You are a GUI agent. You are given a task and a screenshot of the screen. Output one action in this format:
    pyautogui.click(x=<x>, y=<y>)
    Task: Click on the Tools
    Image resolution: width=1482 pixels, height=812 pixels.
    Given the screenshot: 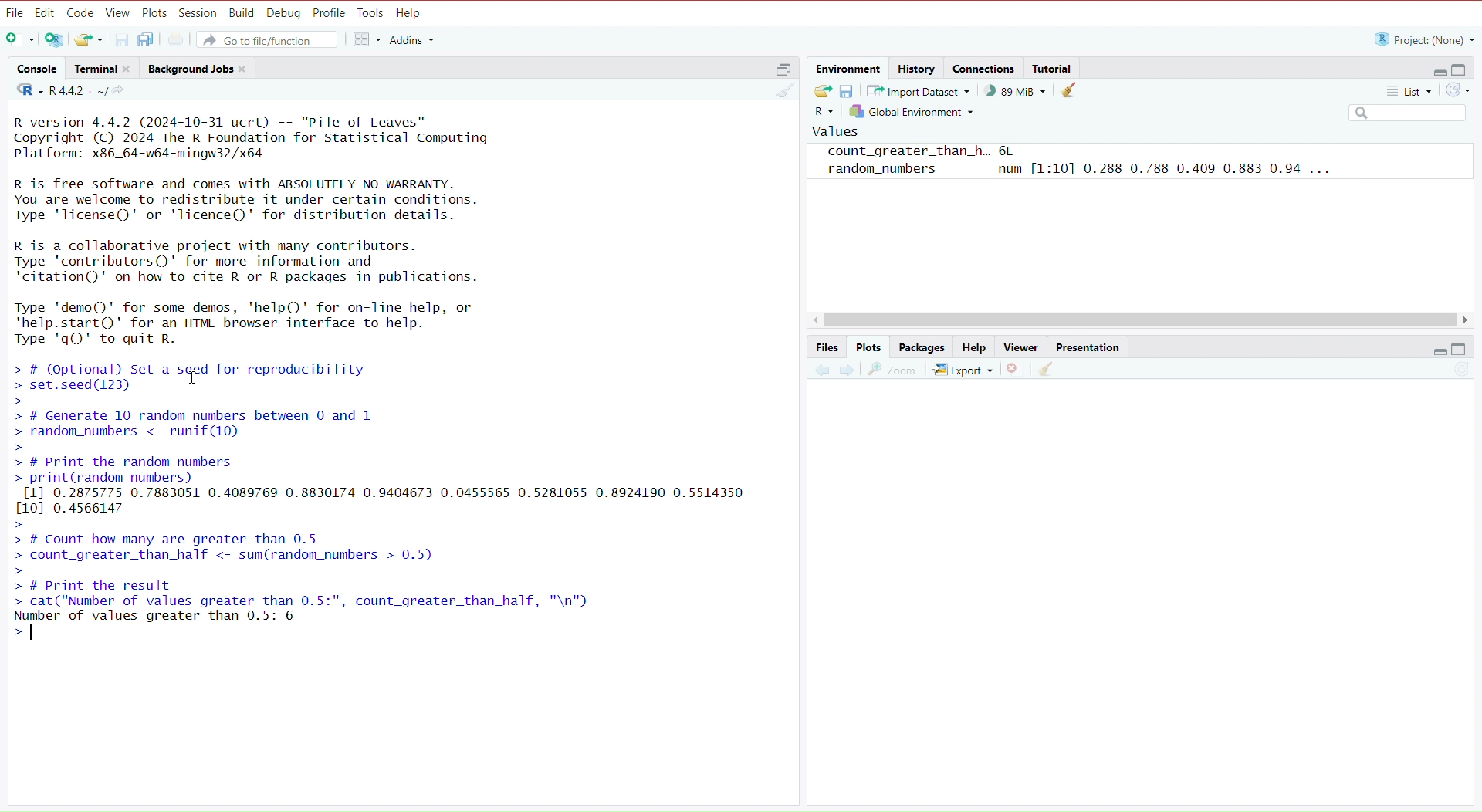 What is the action you would take?
    pyautogui.click(x=373, y=12)
    